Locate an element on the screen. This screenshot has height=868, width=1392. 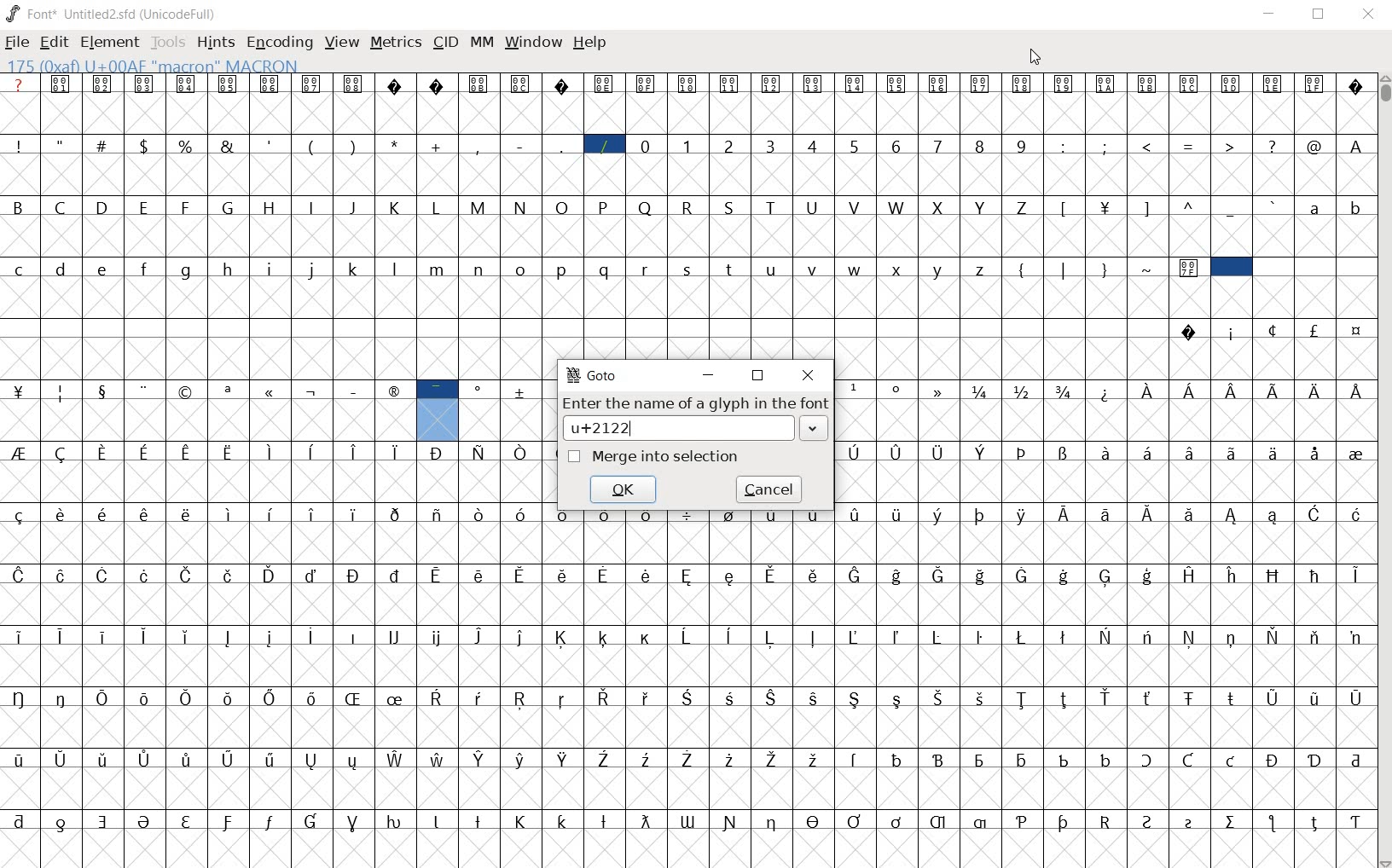
HELP is located at coordinates (590, 44).